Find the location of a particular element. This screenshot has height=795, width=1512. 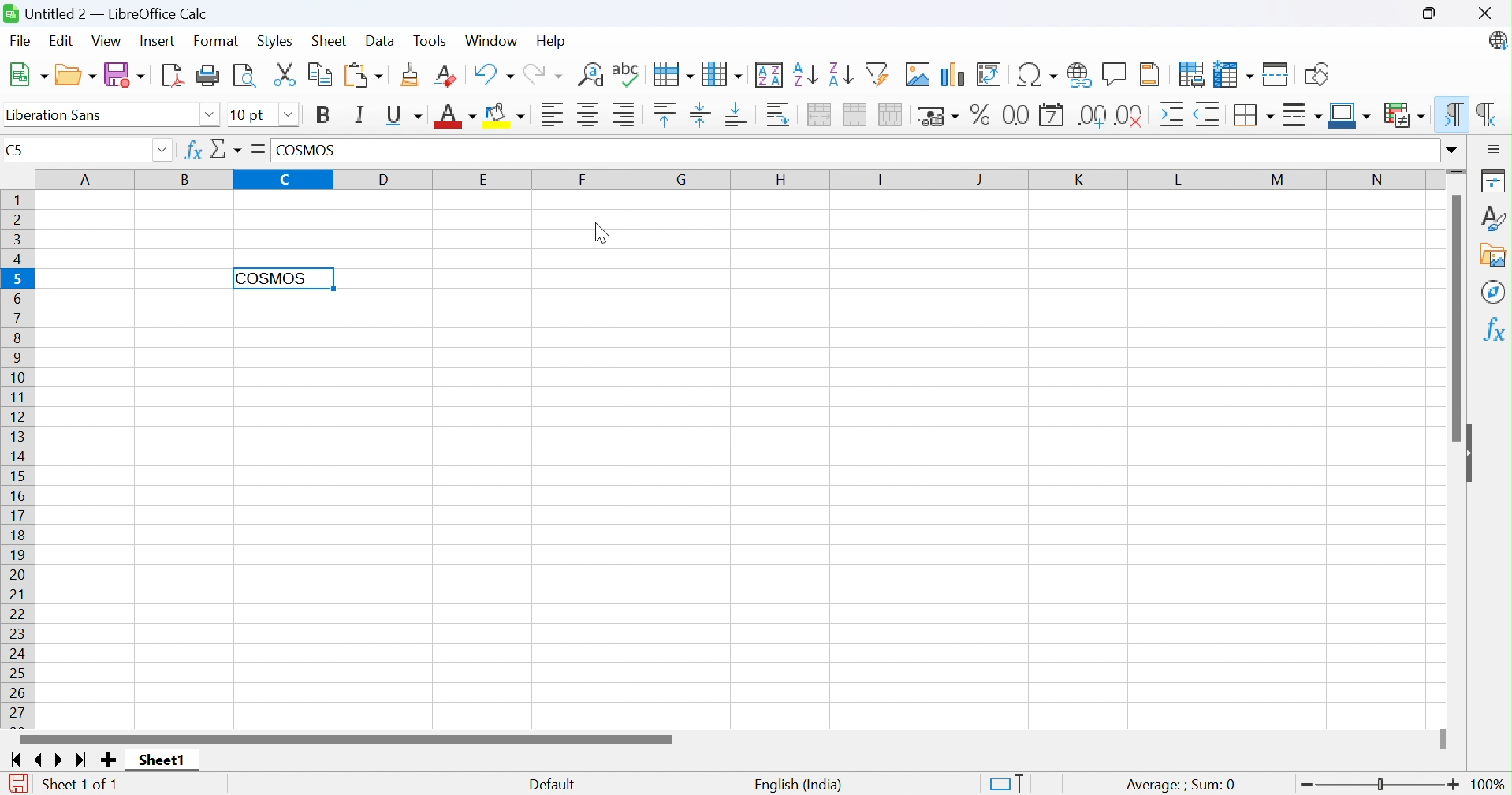

Font size is located at coordinates (251, 116).